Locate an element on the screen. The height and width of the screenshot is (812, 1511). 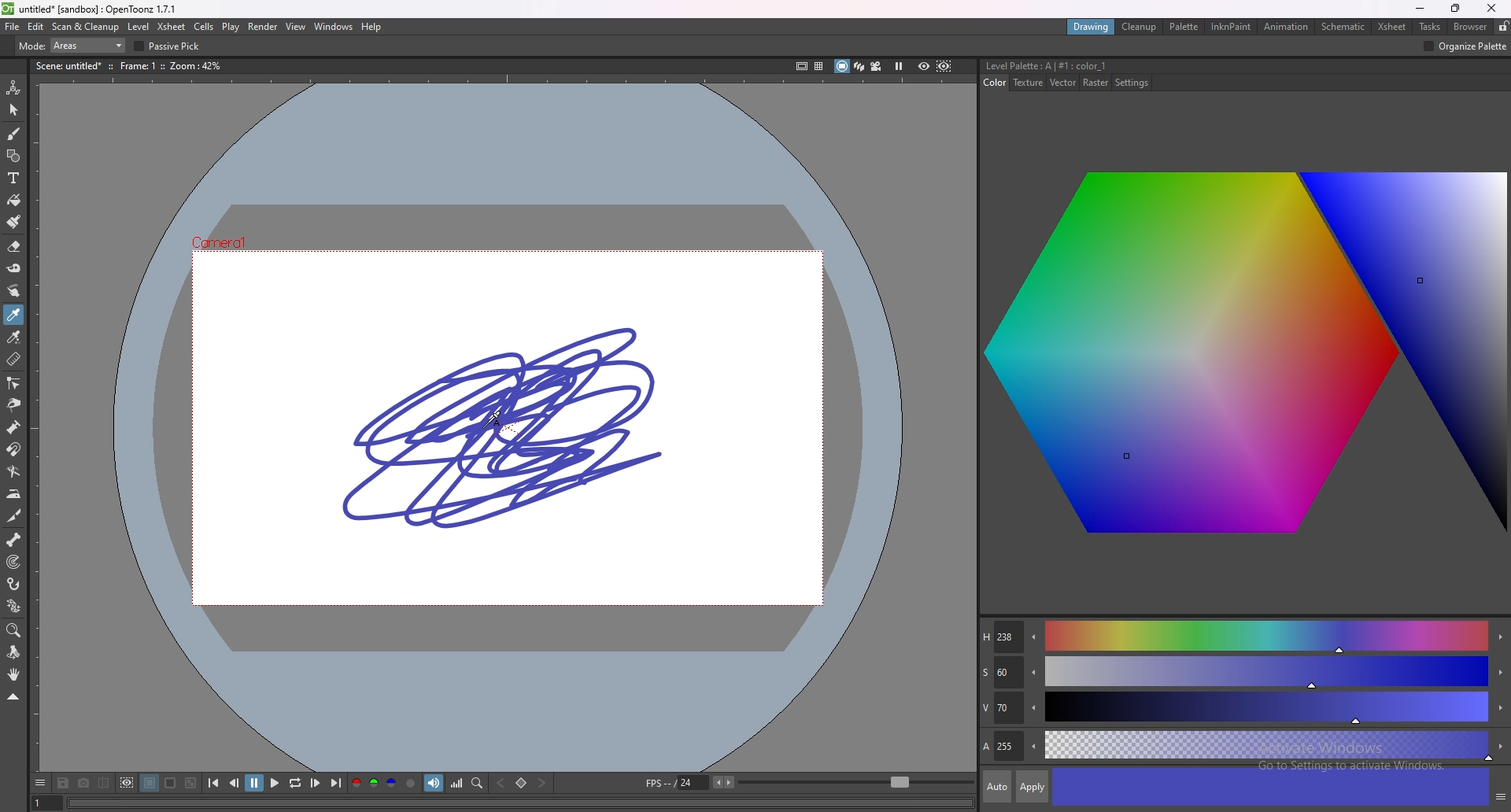
tape tool is located at coordinates (14, 268).